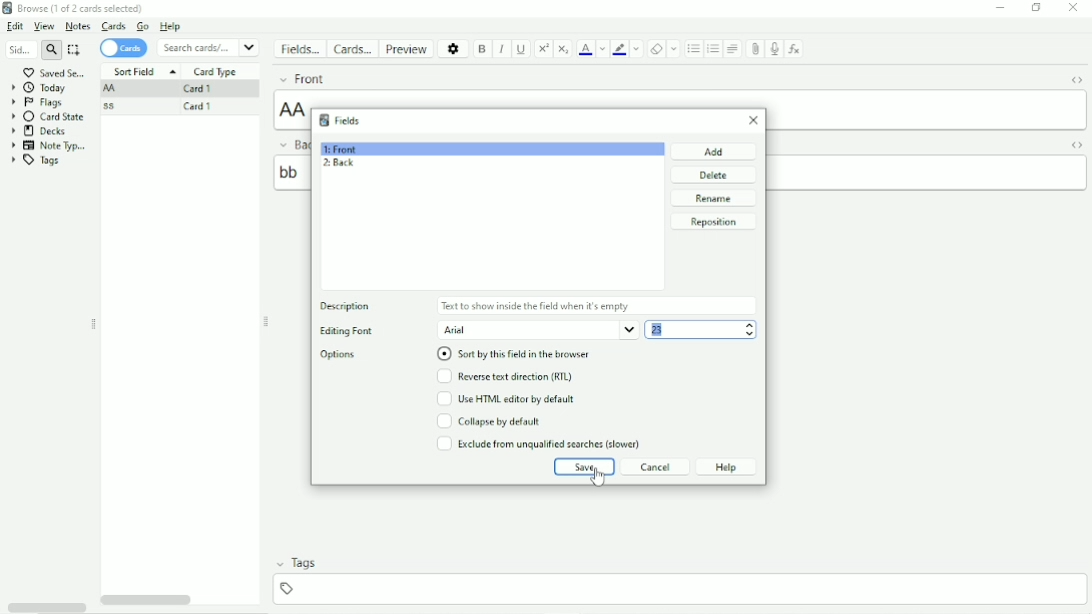  What do you see at coordinates (750, 122) in the screenshot?
I see `Close` at bounding box center [750, 122].